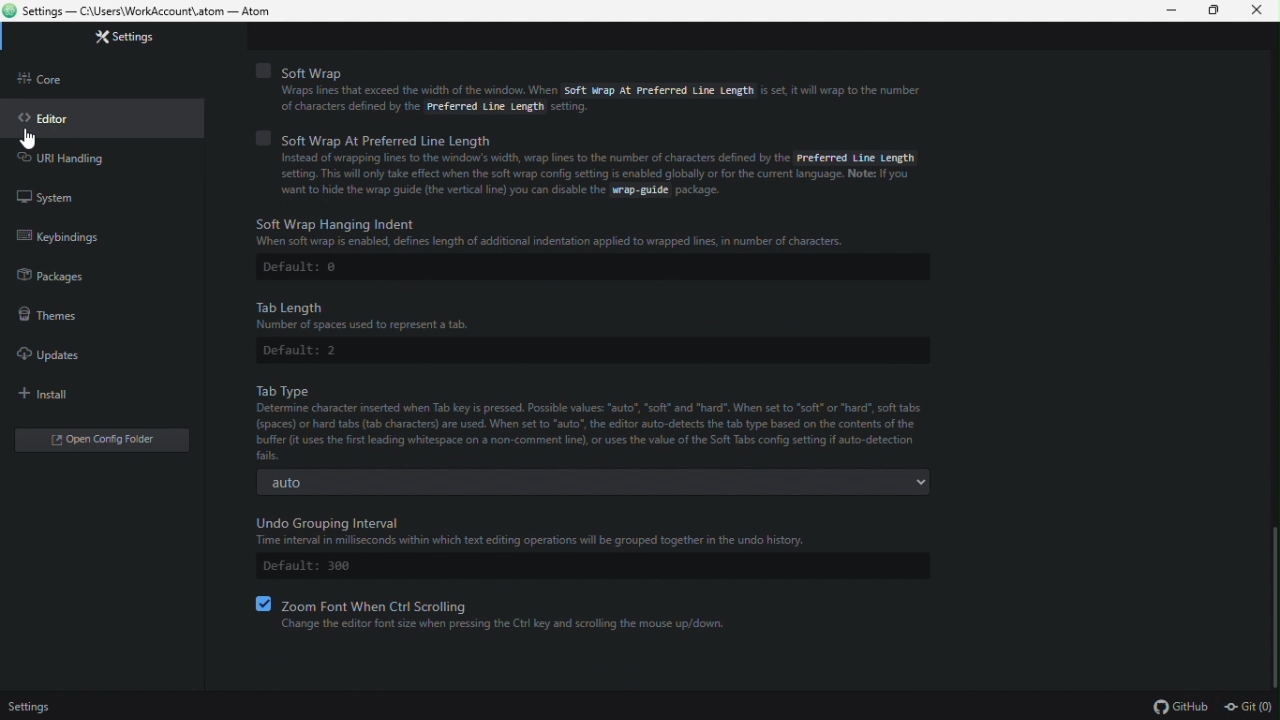 The width and height of the screenshot is (1280, 720). I want to click on soft wrap at preferred line length, so click(601, 137).